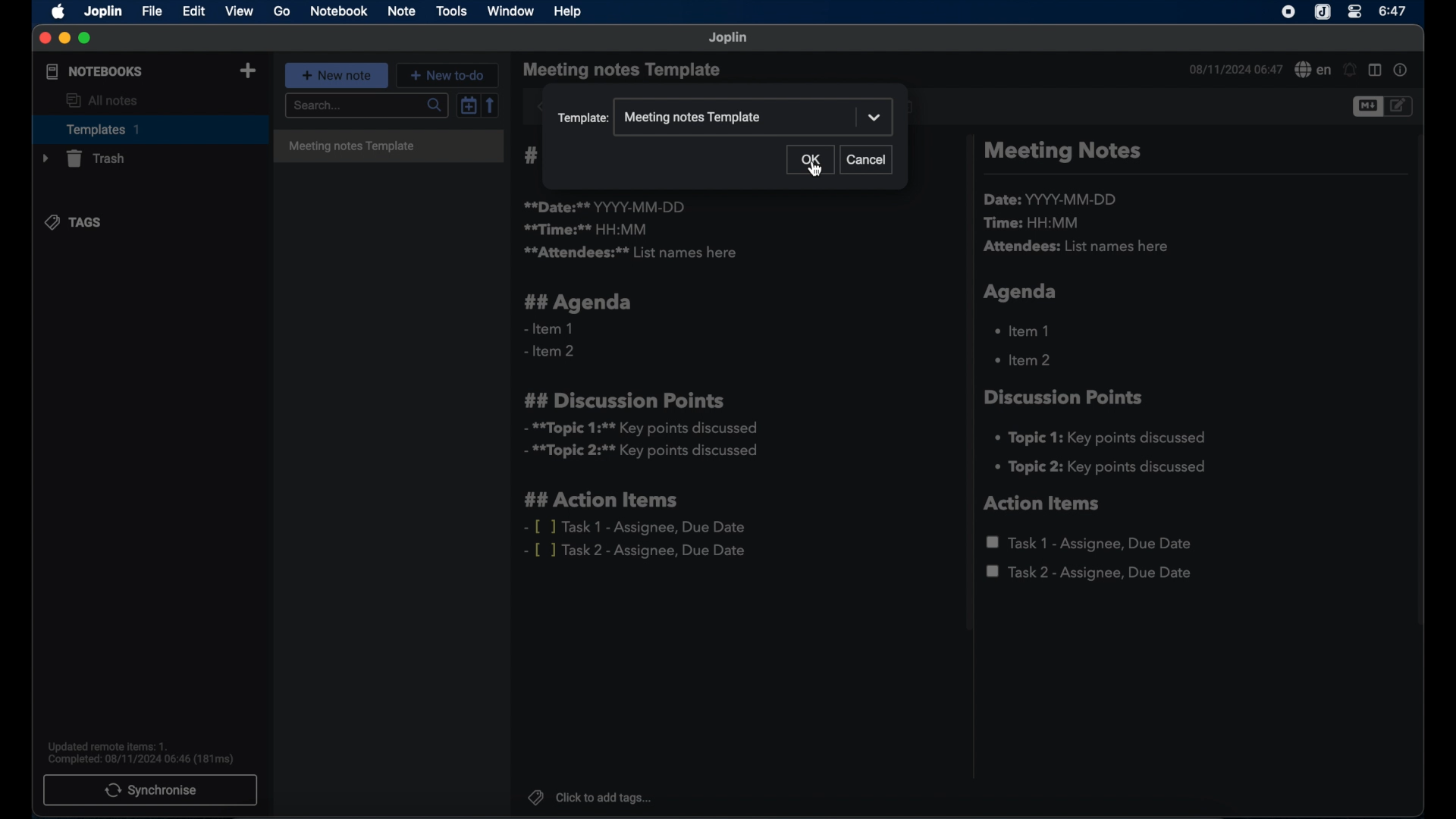 The height and width of the screenshot is (819, 1456). Describe the element at coordinates (337, 75) in the screenshot. I see `new note` at that location.